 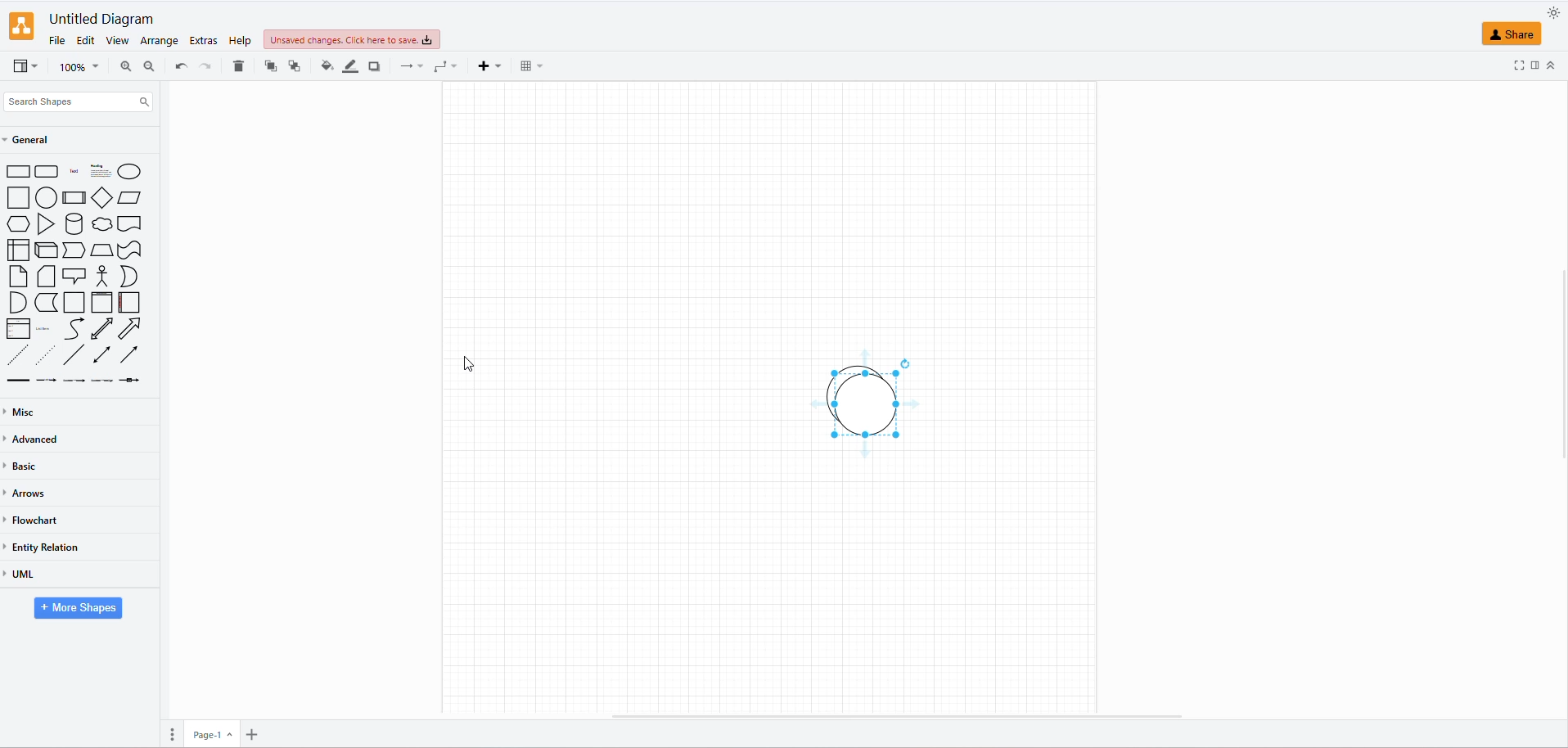 What do you see at coordinates (268, 66) in the screenshot?
I see `TO FRONT` at bounding box center [268, 66].